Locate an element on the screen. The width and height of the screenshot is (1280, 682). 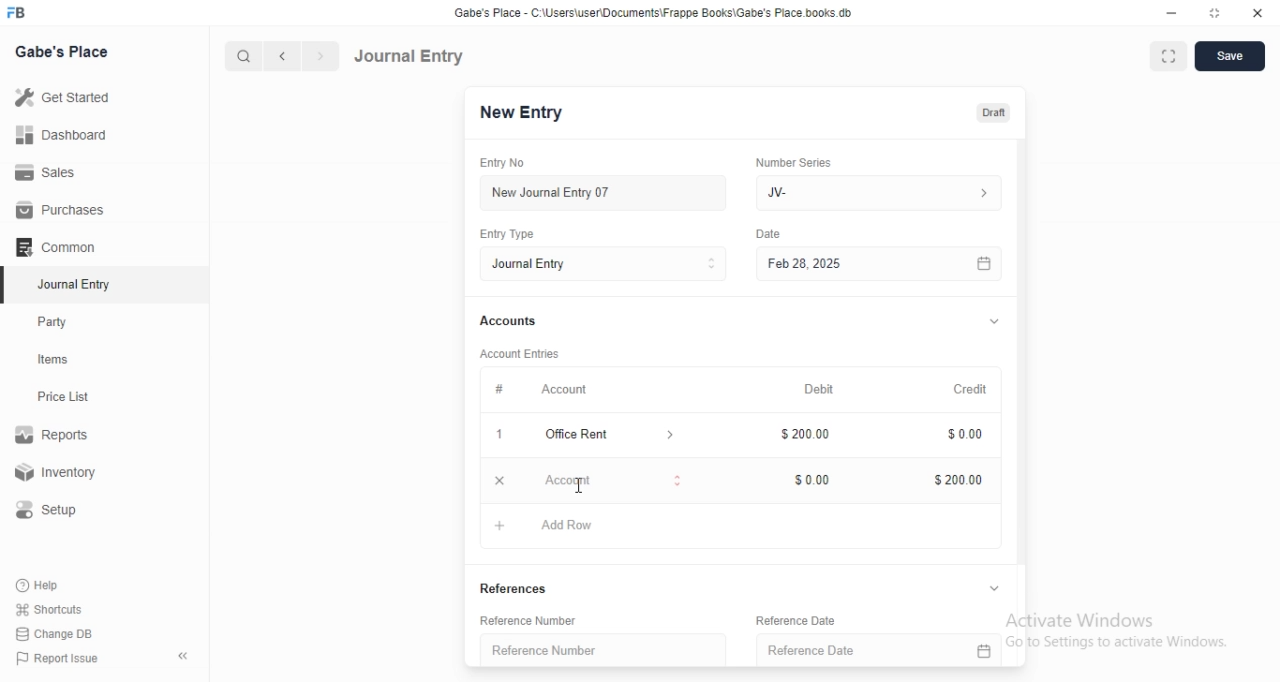
Reference number is located at coordinates (539, 651).